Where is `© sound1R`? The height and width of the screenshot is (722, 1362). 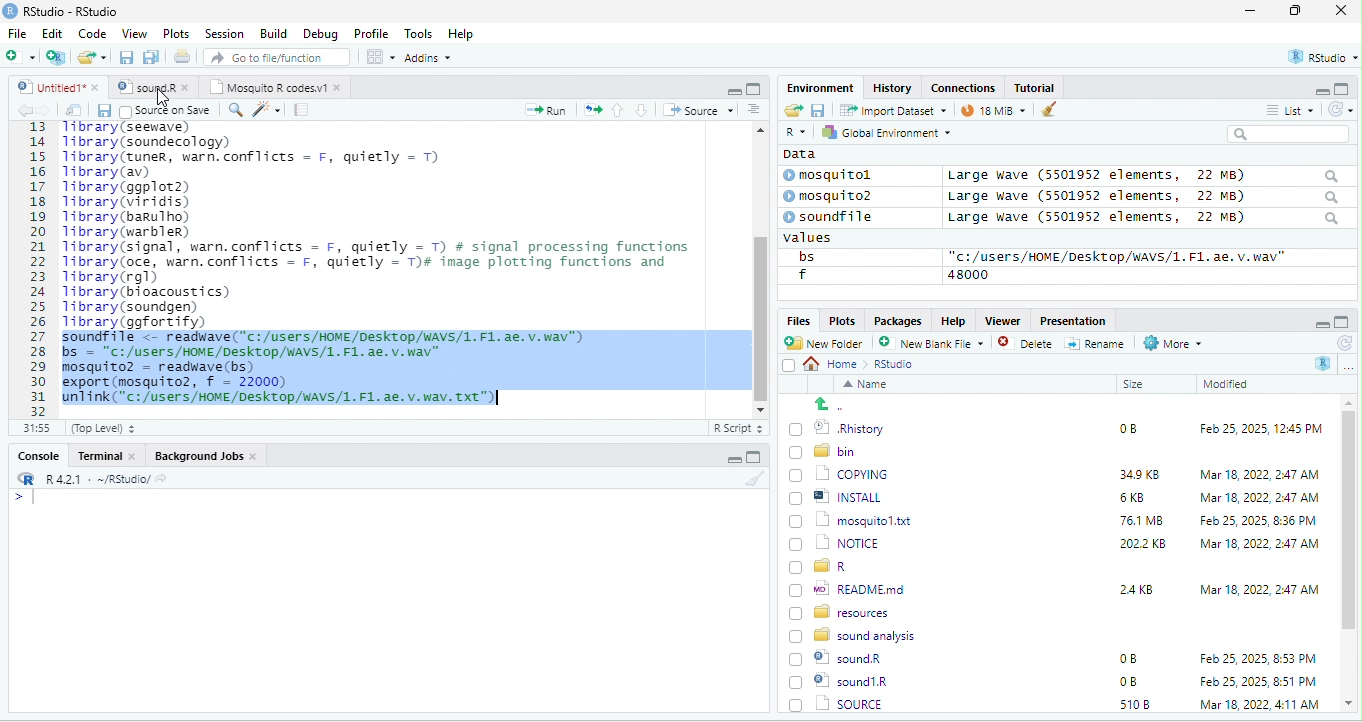
© sound1R is located at coordinates (842, 660).